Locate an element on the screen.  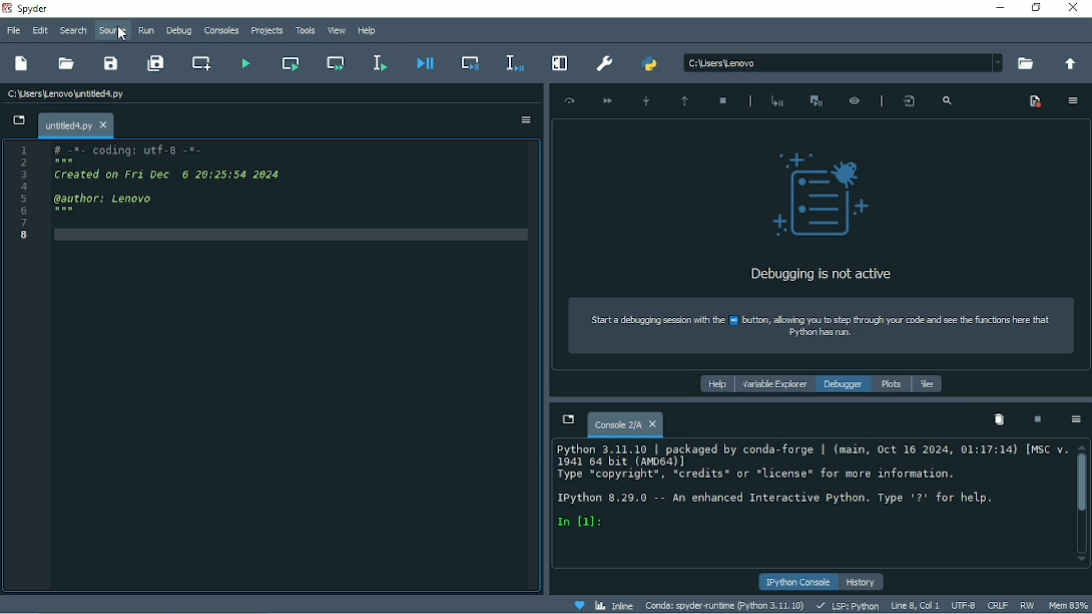
Remove all variables from namespace is located at coordinates (995, 420).